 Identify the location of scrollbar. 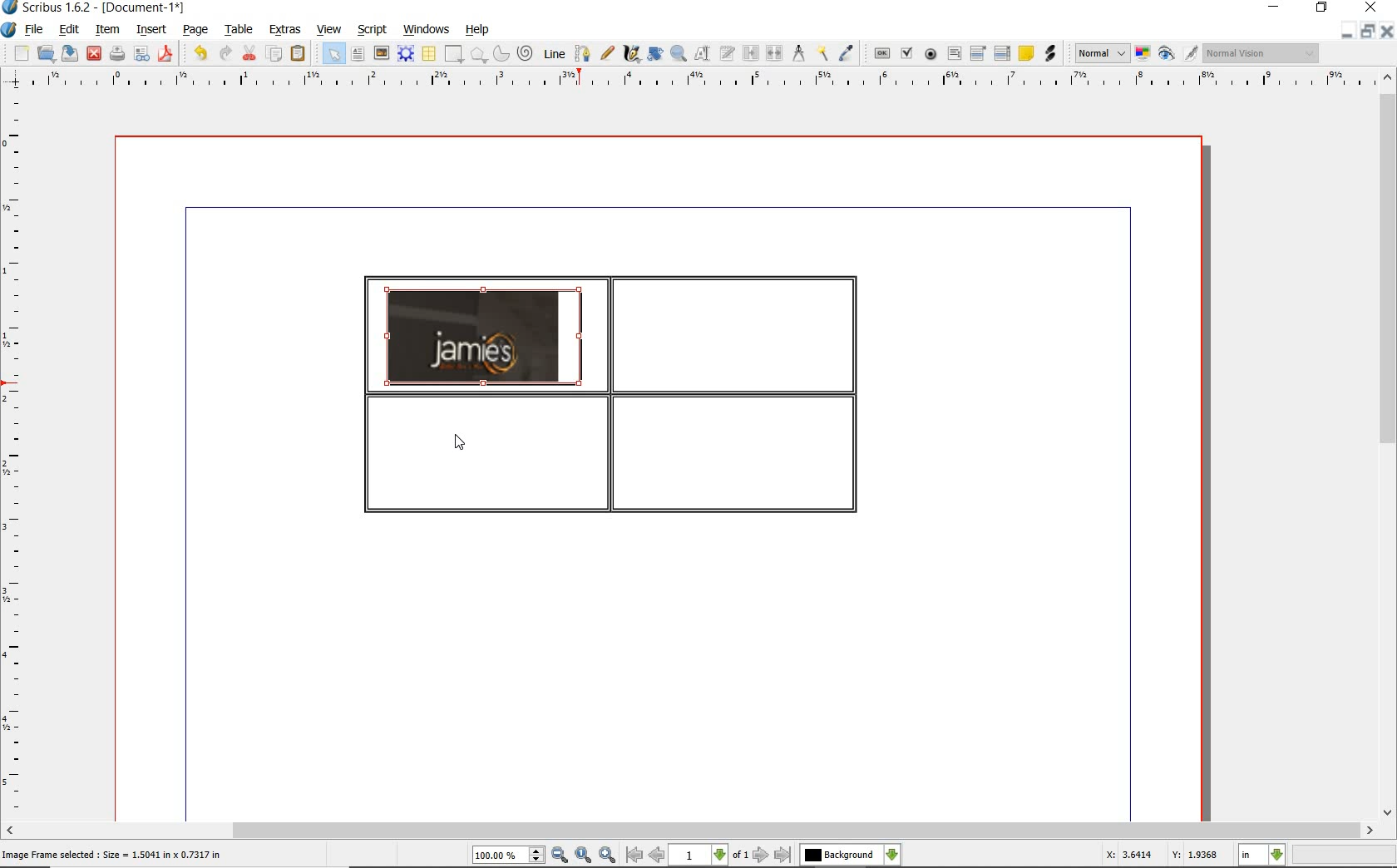
(689, 831).